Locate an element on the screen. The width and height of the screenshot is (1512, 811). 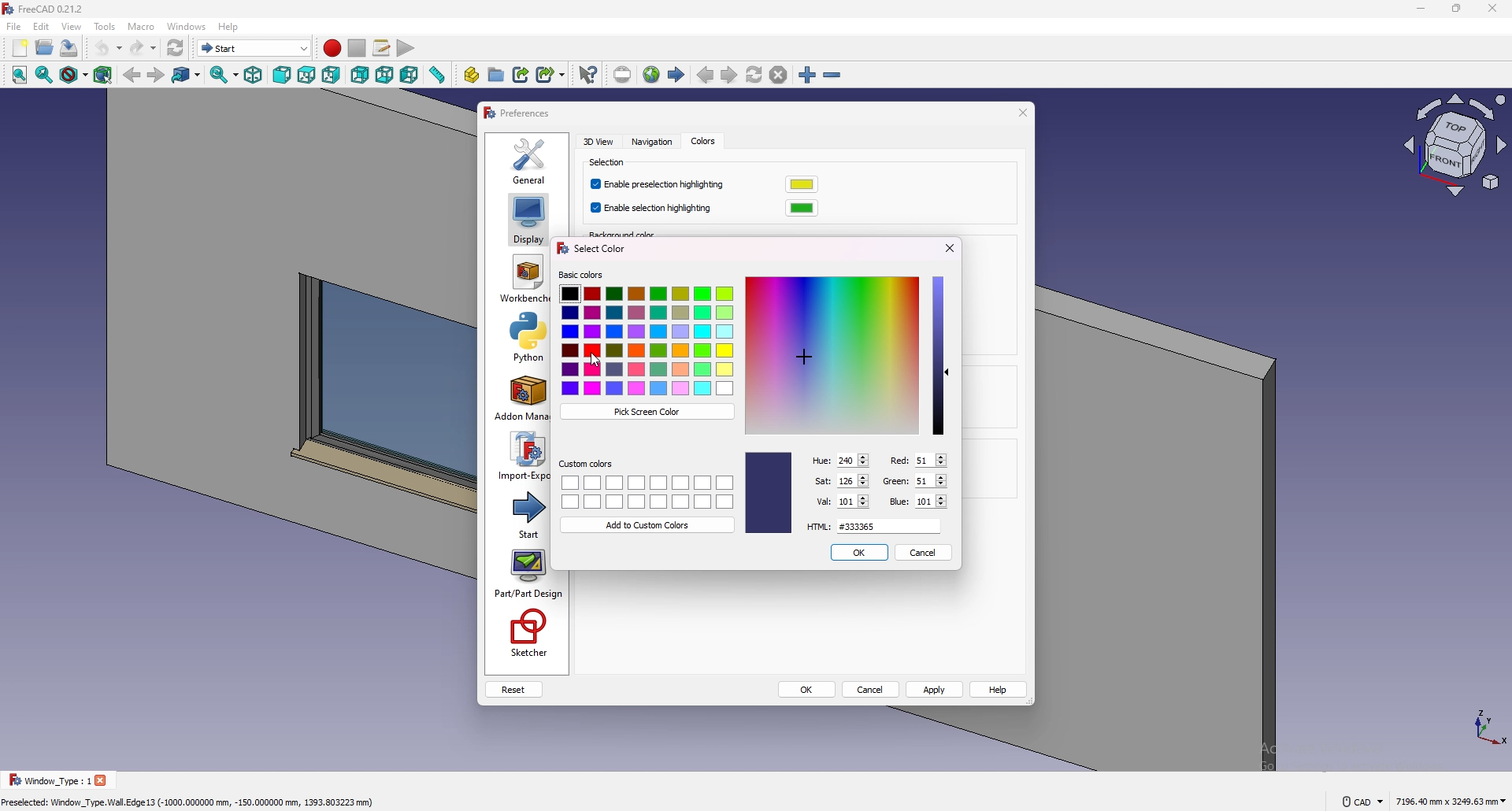
‘Basic colors is located at coordinates (580, 275).